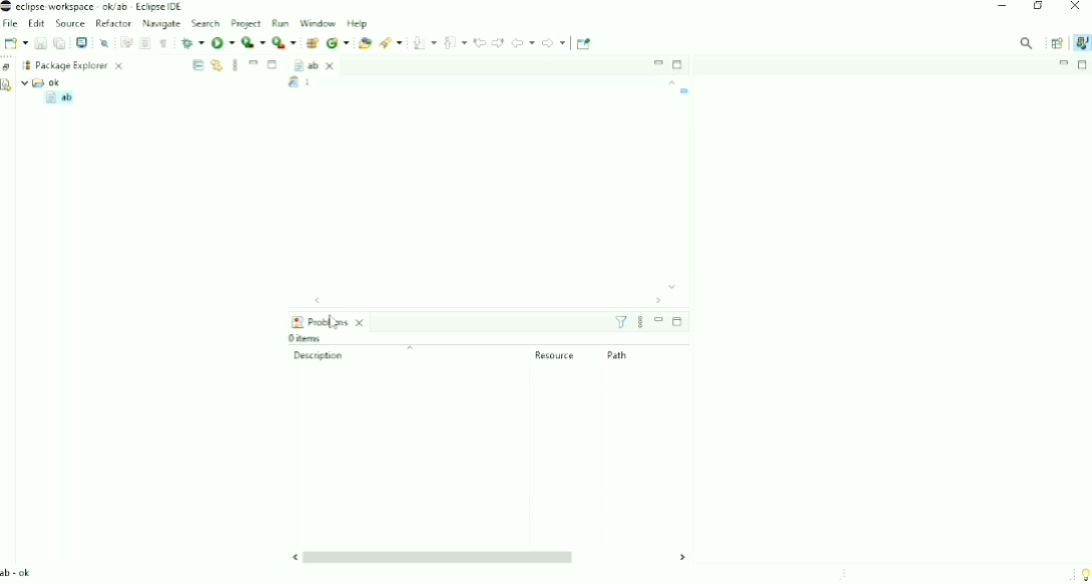 The width and height of the screenshot is (1092, 584). Describe the element at coordinates (82, 42) in the screenshot. I see `Open a Terminal` at that location.